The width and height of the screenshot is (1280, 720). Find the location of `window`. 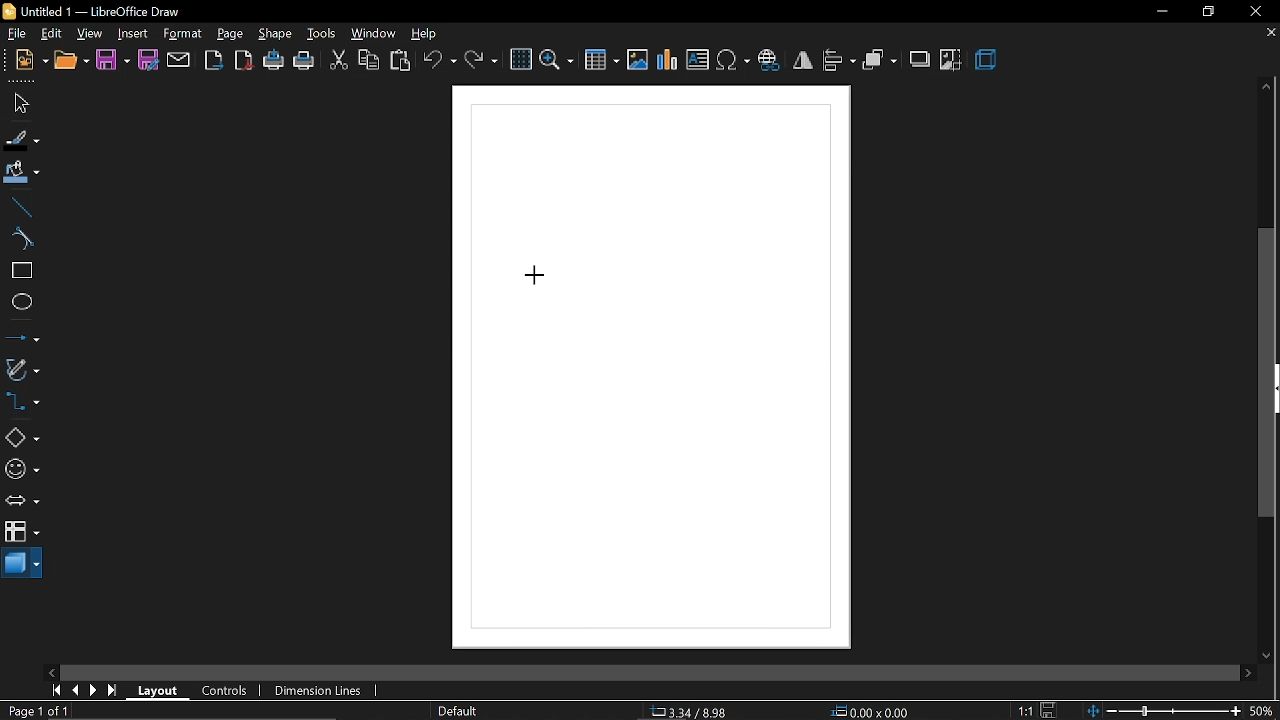

window is located at coordinates (377, 33).